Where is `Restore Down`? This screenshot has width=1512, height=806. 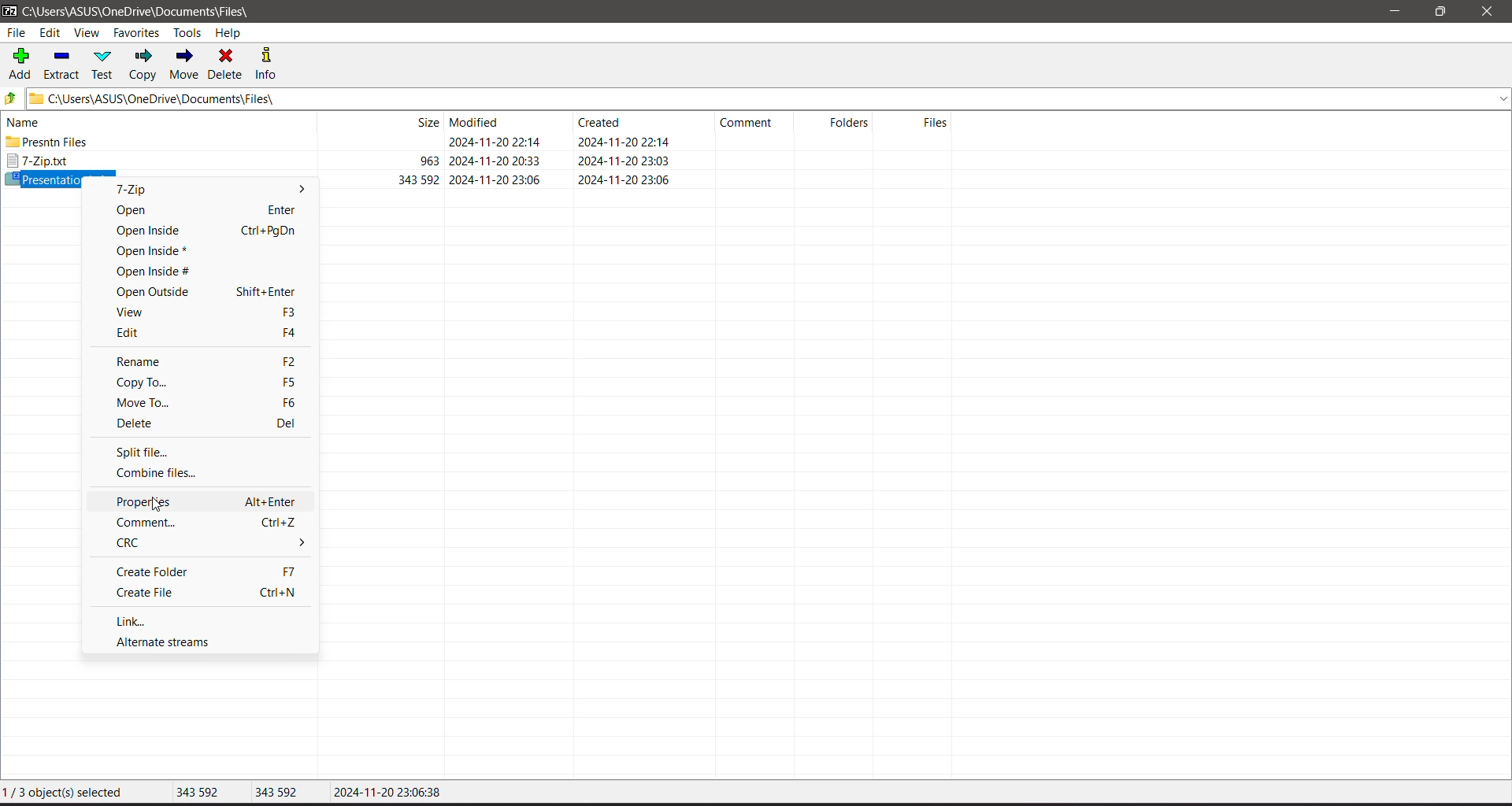 Restore Down is located at coordinates (1442, 12).